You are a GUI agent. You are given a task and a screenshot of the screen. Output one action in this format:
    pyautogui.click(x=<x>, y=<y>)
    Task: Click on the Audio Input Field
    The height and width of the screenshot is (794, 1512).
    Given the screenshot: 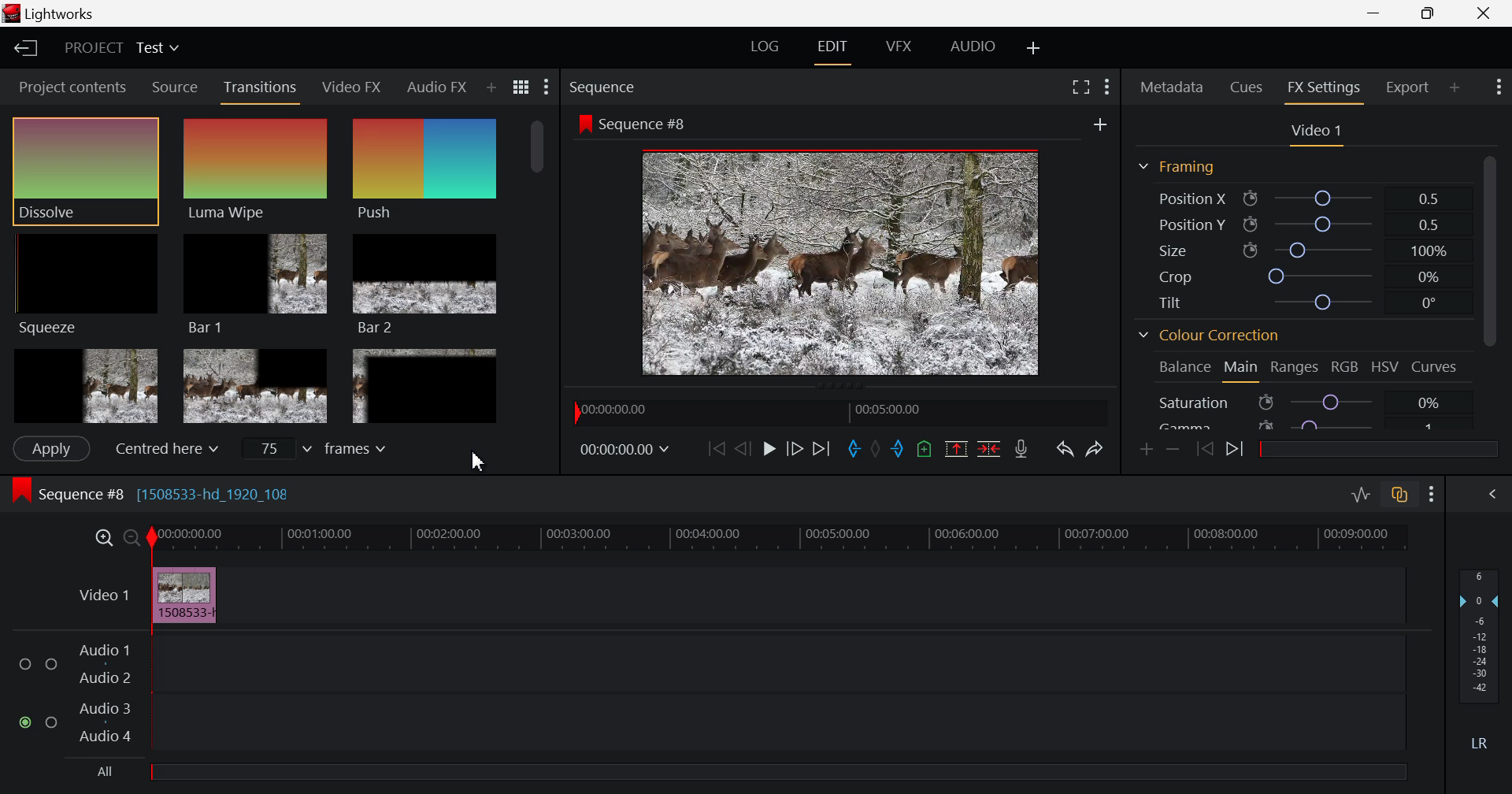 What is the action you would take?
    pyautogui.click(x=707, y=694)
    